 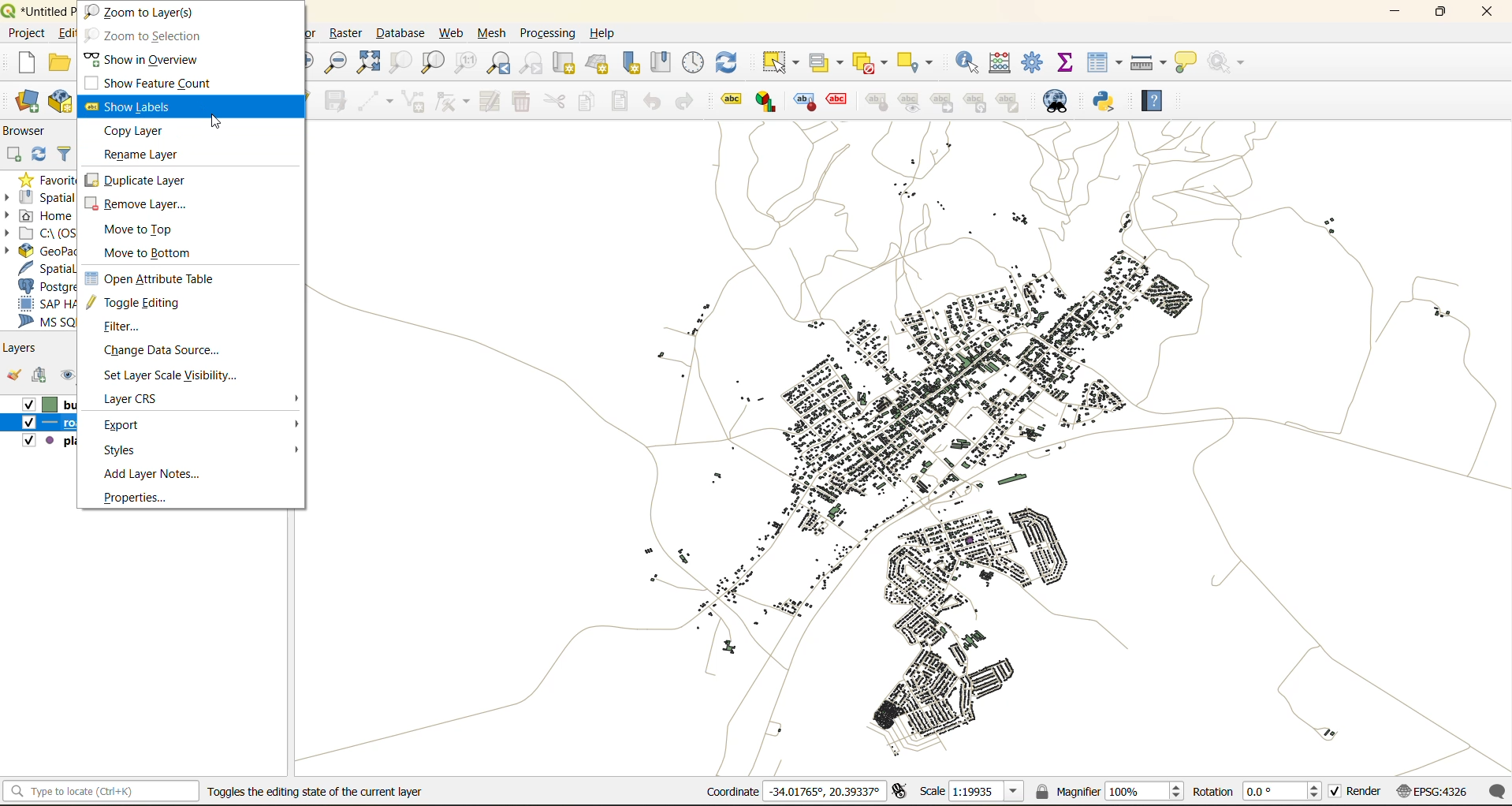 I want to click on metasearch, so click(x=1061, y=99).